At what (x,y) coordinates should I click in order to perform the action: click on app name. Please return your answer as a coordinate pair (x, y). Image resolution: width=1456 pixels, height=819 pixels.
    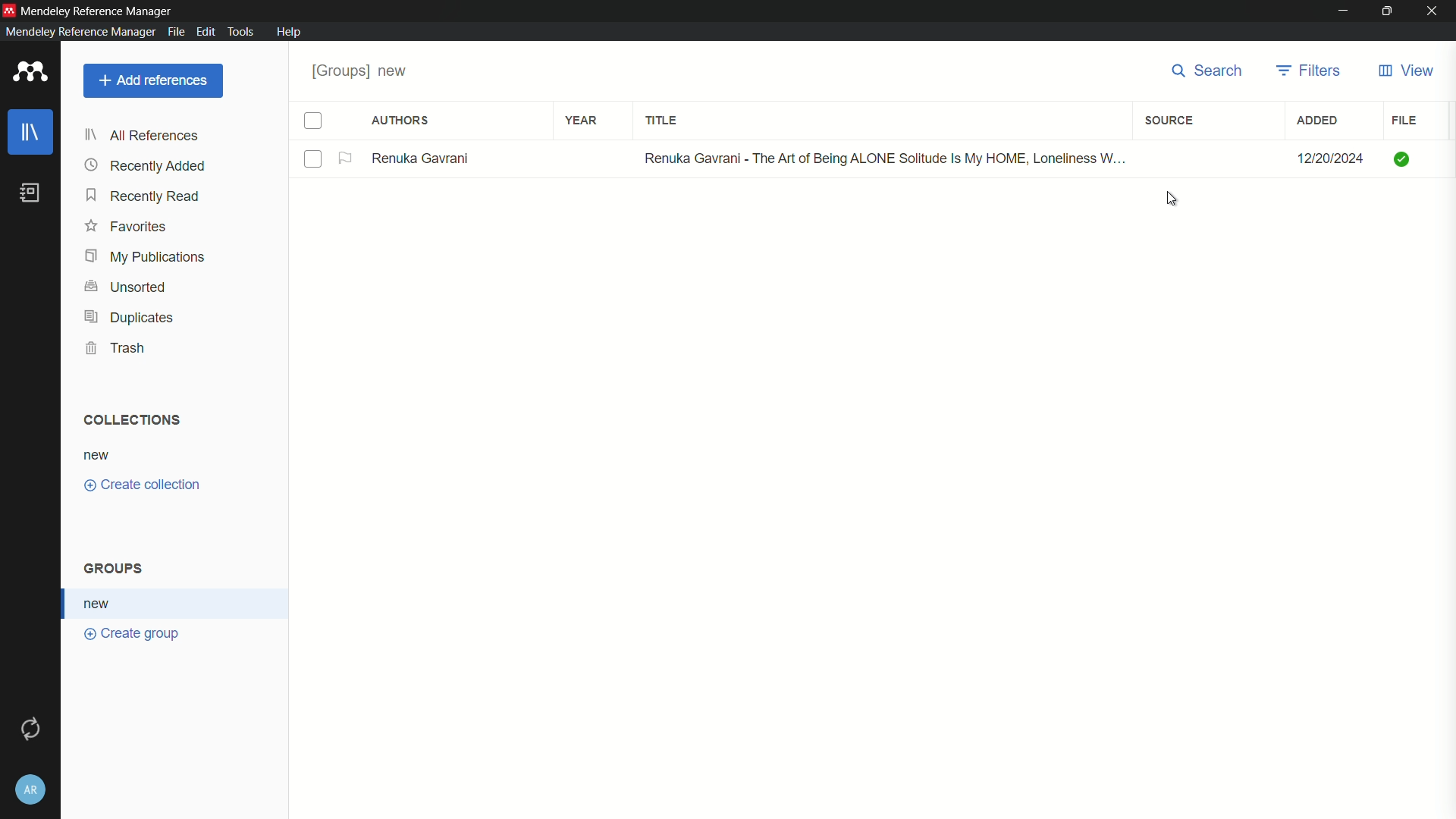
    Looking at the image, I should click on (99, 9).